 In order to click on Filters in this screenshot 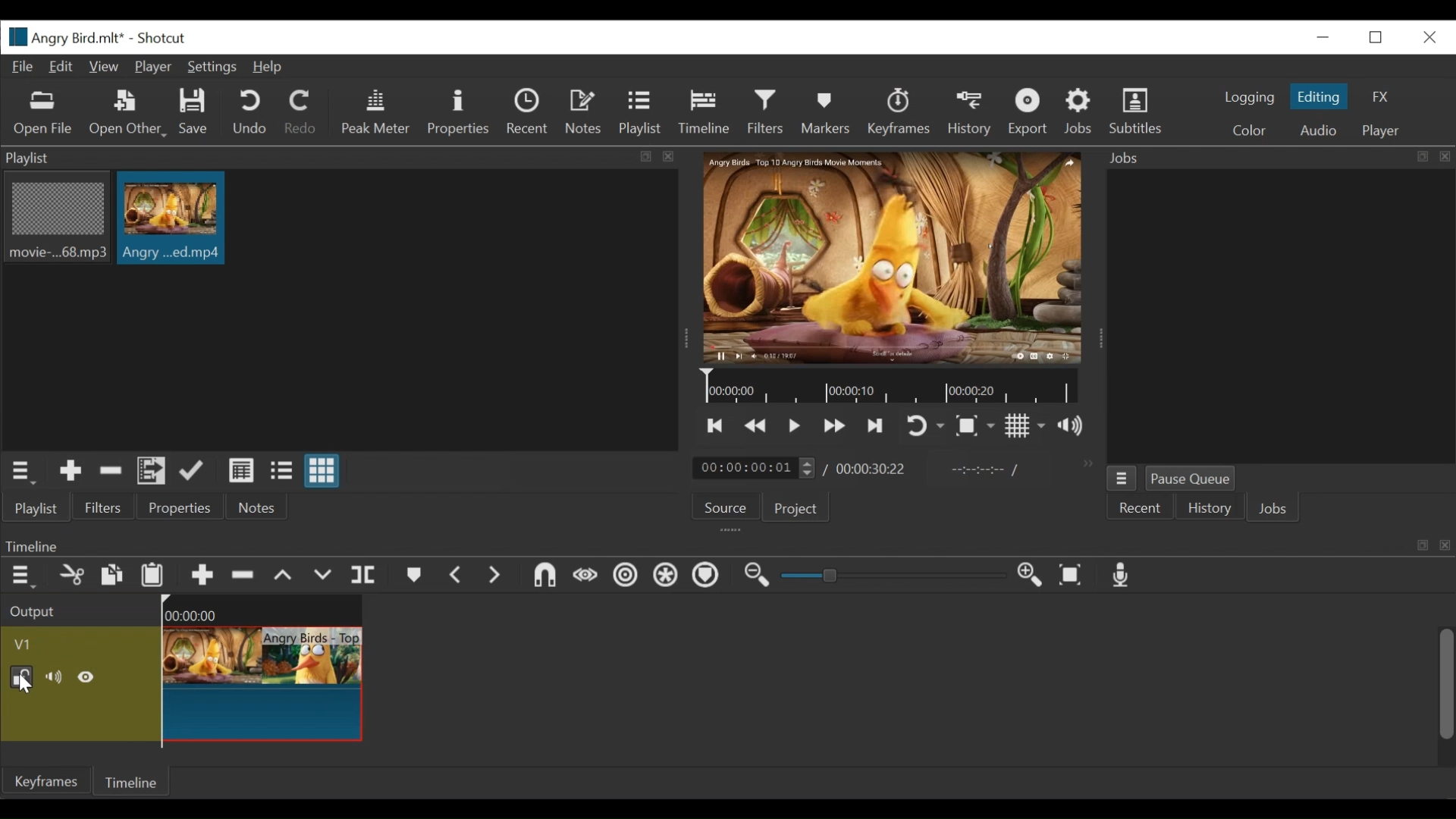, I will do `click(766, 113)`.